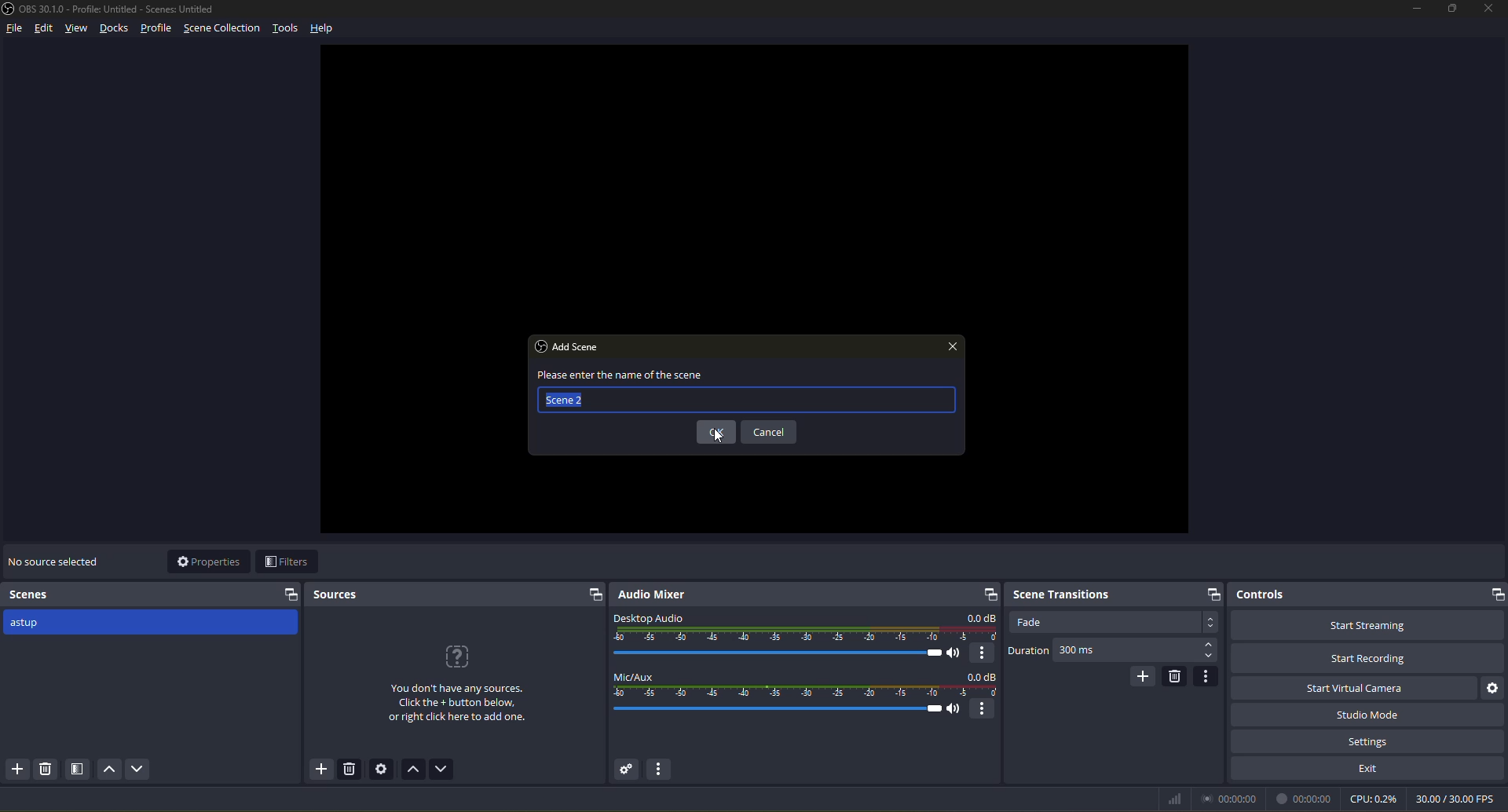  I want to click on more options, so click(983, 654).